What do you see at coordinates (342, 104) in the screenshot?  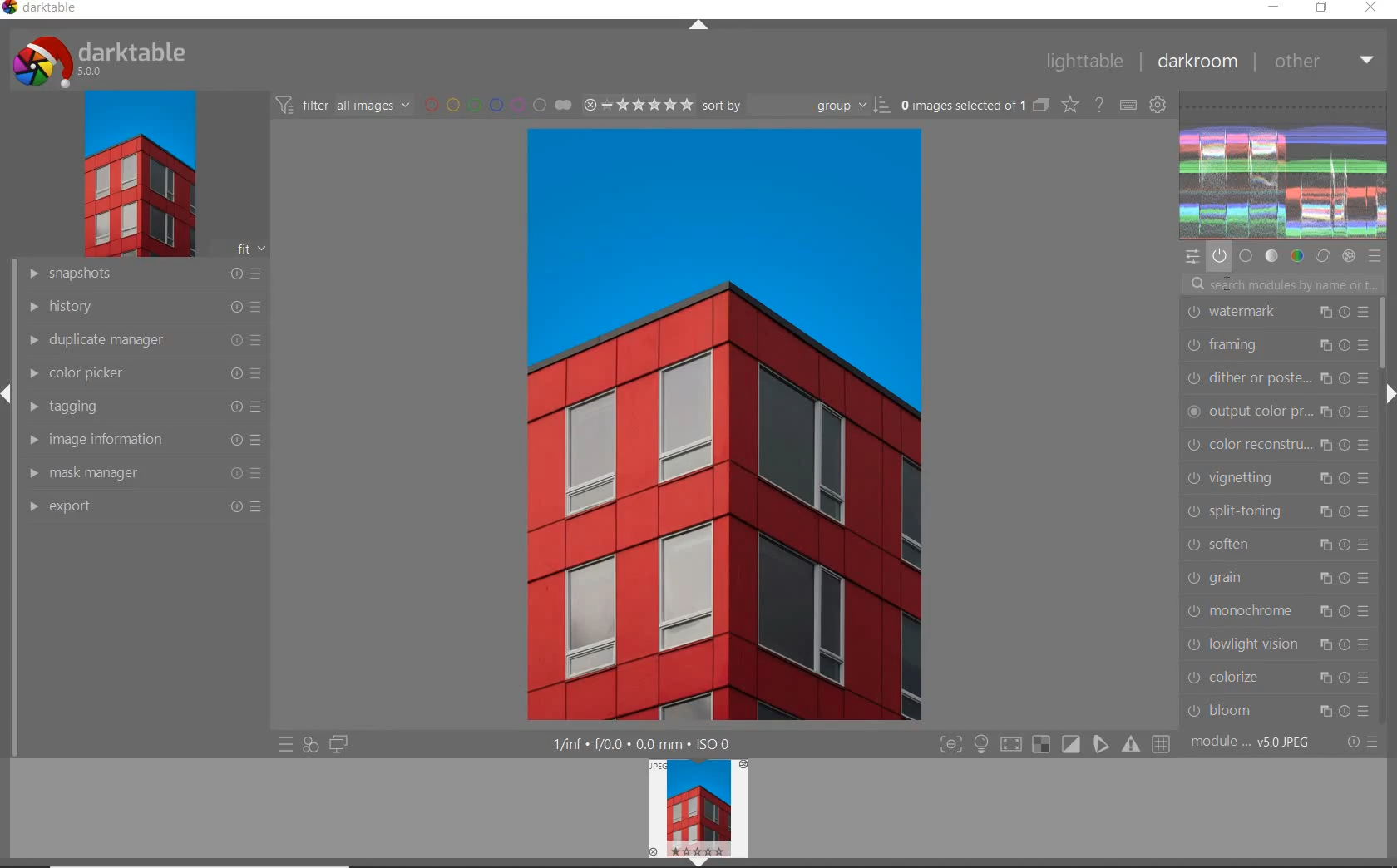 I see `filter images` at bounding box center [342, 104].